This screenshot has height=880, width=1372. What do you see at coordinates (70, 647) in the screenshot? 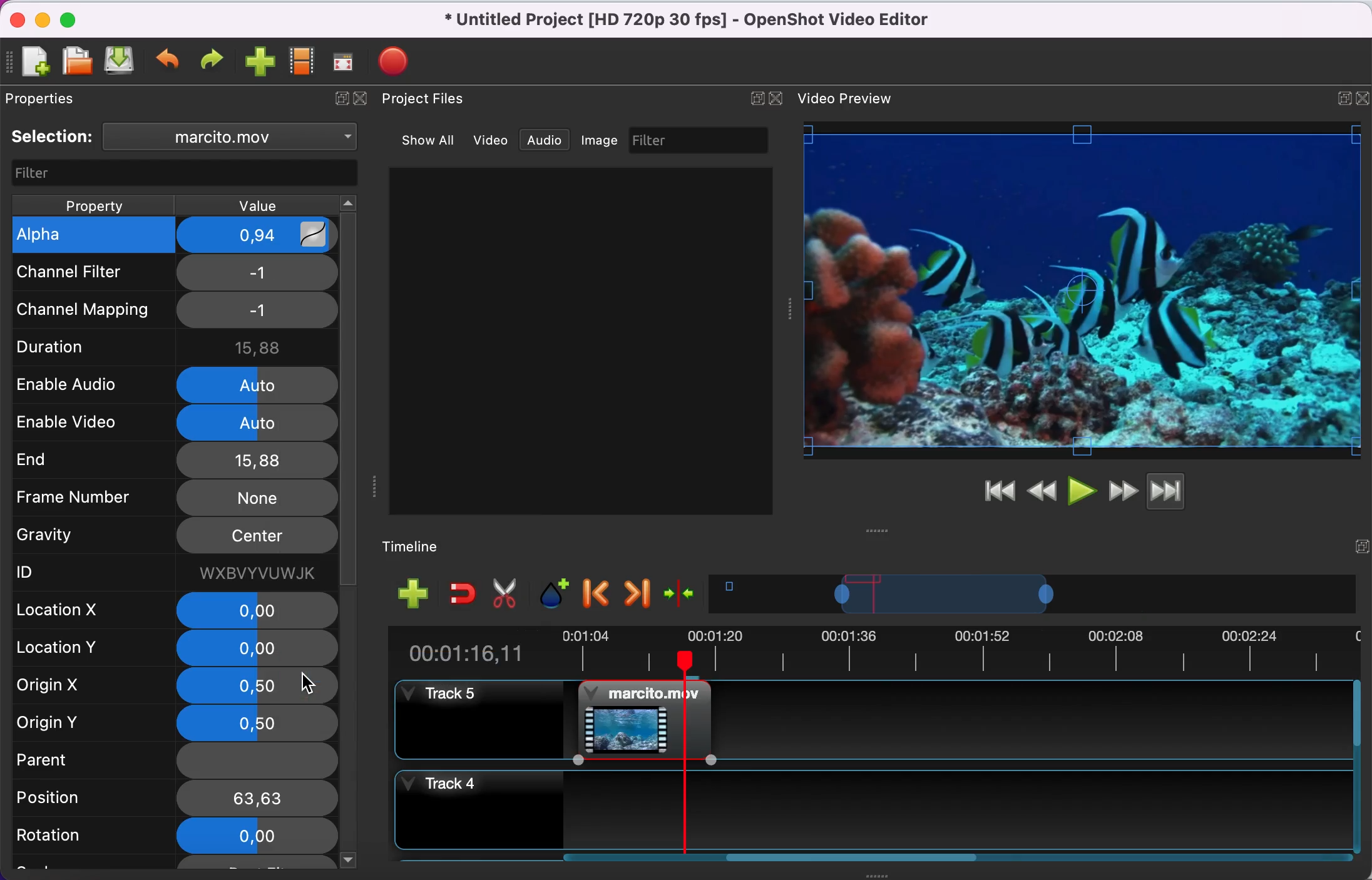
I see `Location Y` at bounding box center [70, 647].